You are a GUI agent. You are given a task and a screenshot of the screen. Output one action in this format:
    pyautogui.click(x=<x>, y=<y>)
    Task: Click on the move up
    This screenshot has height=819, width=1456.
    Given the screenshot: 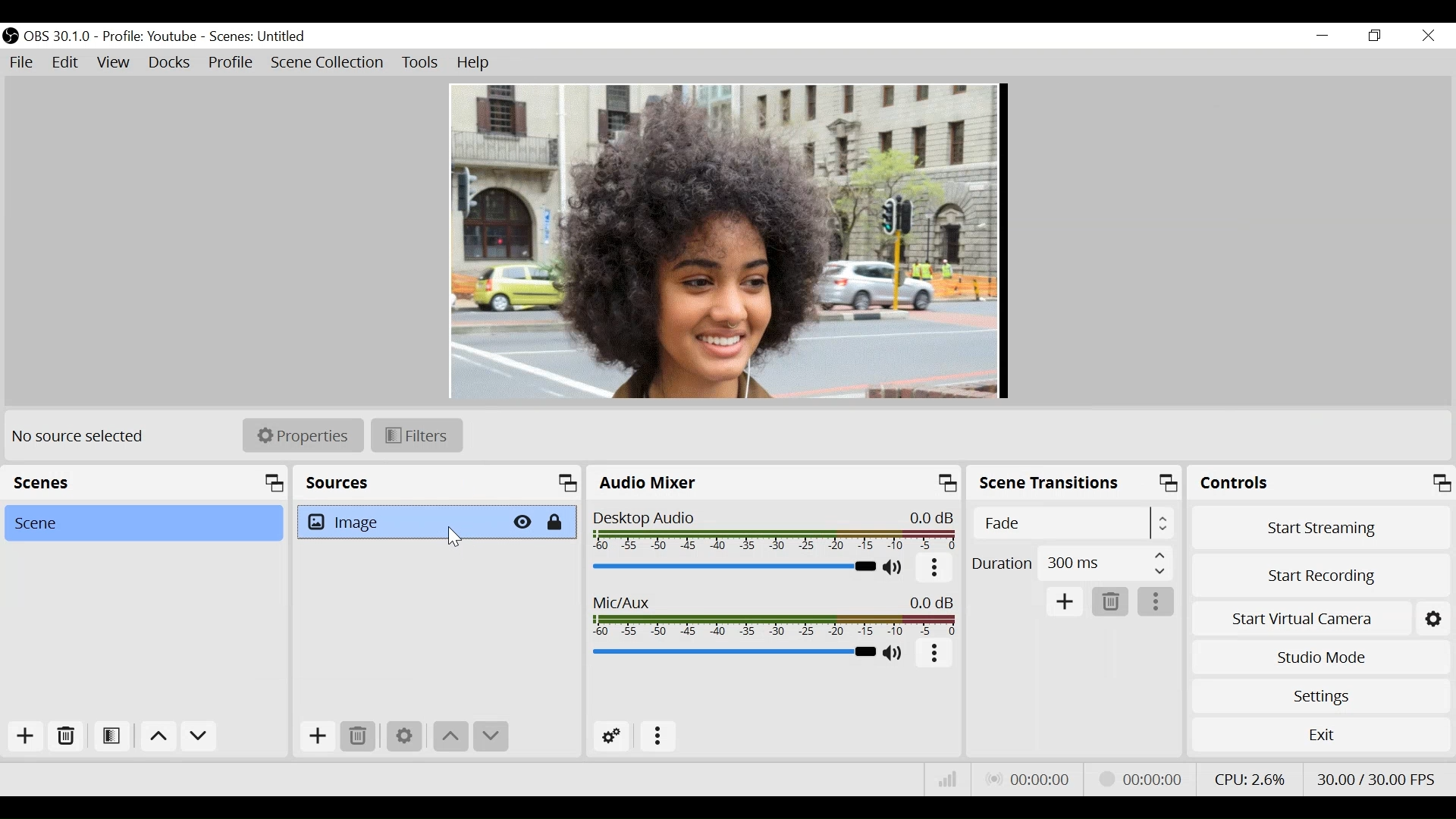 What is the action you would take?
    pyautogui.click(x=160, y=737)
    